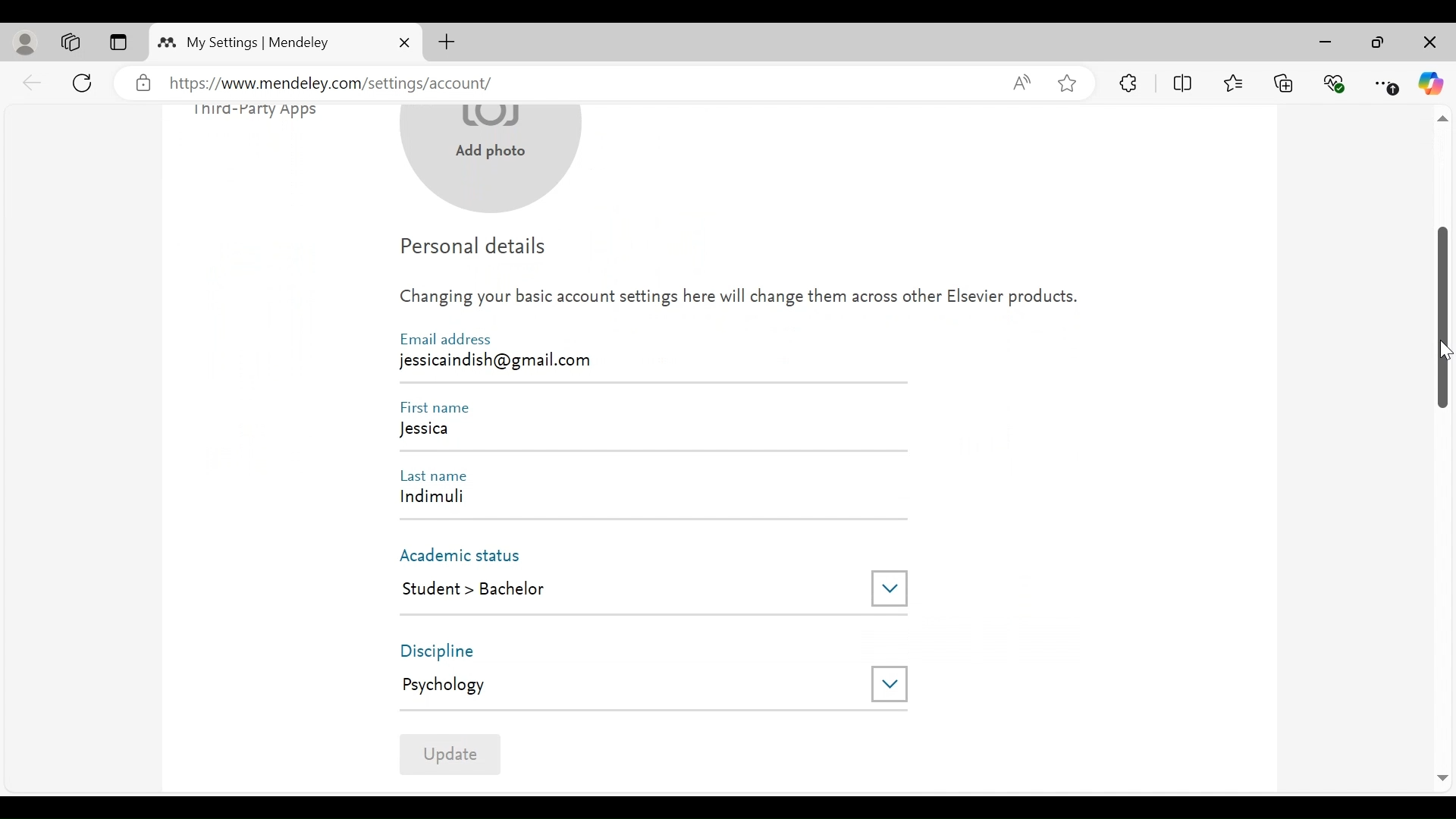 Image resolution: width=1456 pixels, height=819 pixels. Describe the element at coordinates (1443, 352) in the screenshot. I see `Cursor` at that location.